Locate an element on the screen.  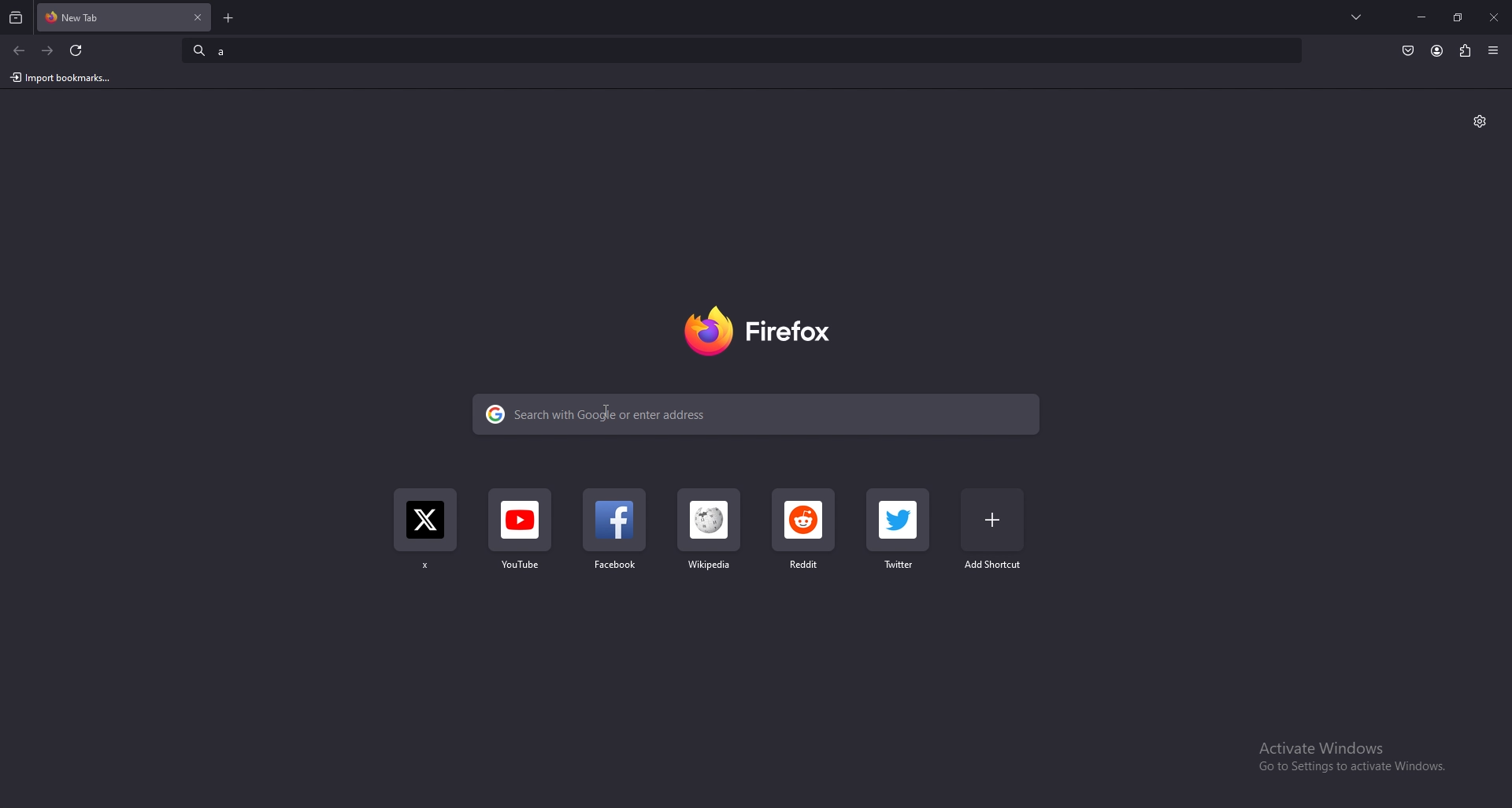
customize is located at coordinates (1480, 121).